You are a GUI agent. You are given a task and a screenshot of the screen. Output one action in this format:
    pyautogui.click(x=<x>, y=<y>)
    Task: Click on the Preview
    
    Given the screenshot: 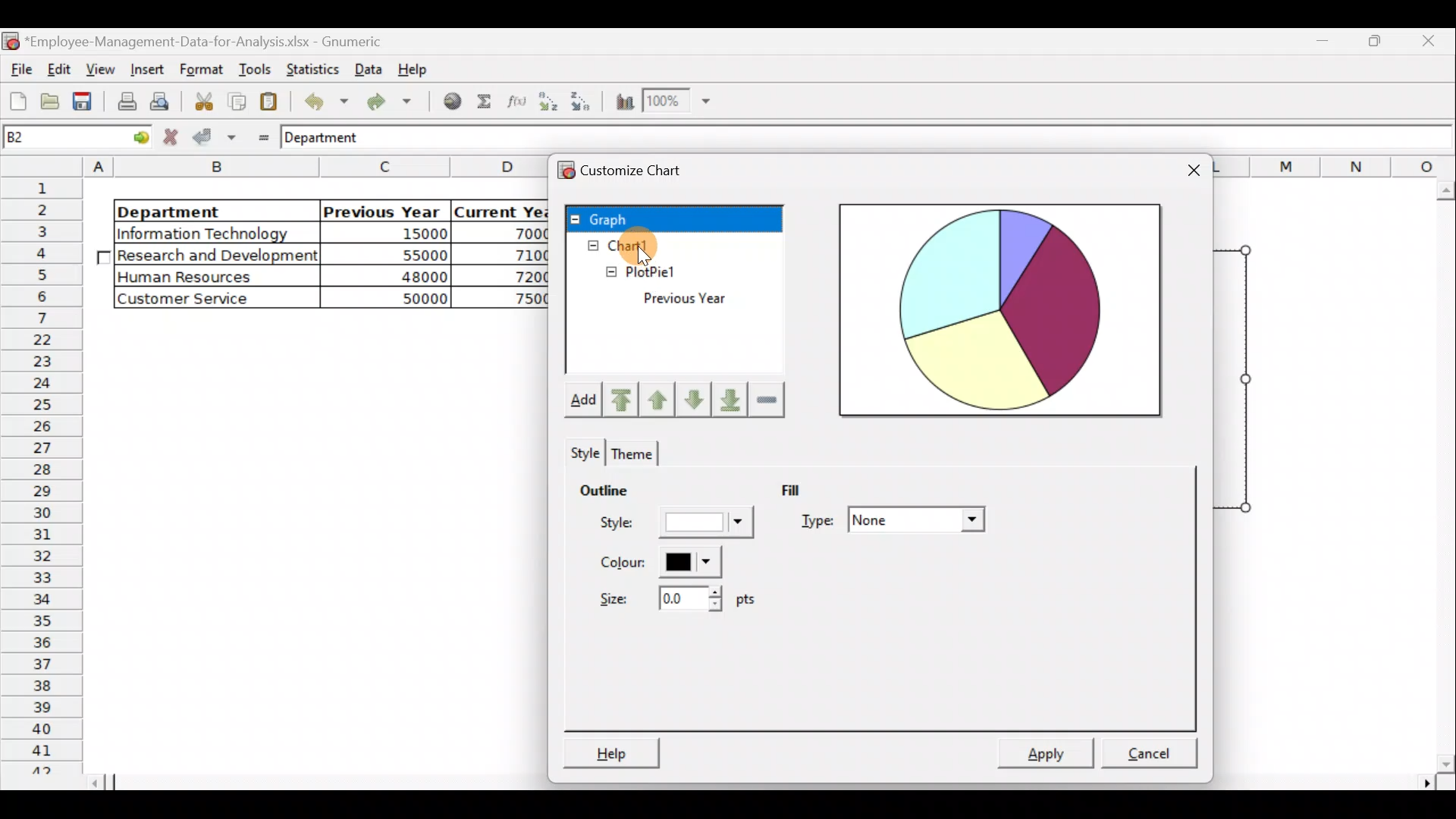 What is the action you would take?
    pyautogui.click(x=1002, y=309)
    